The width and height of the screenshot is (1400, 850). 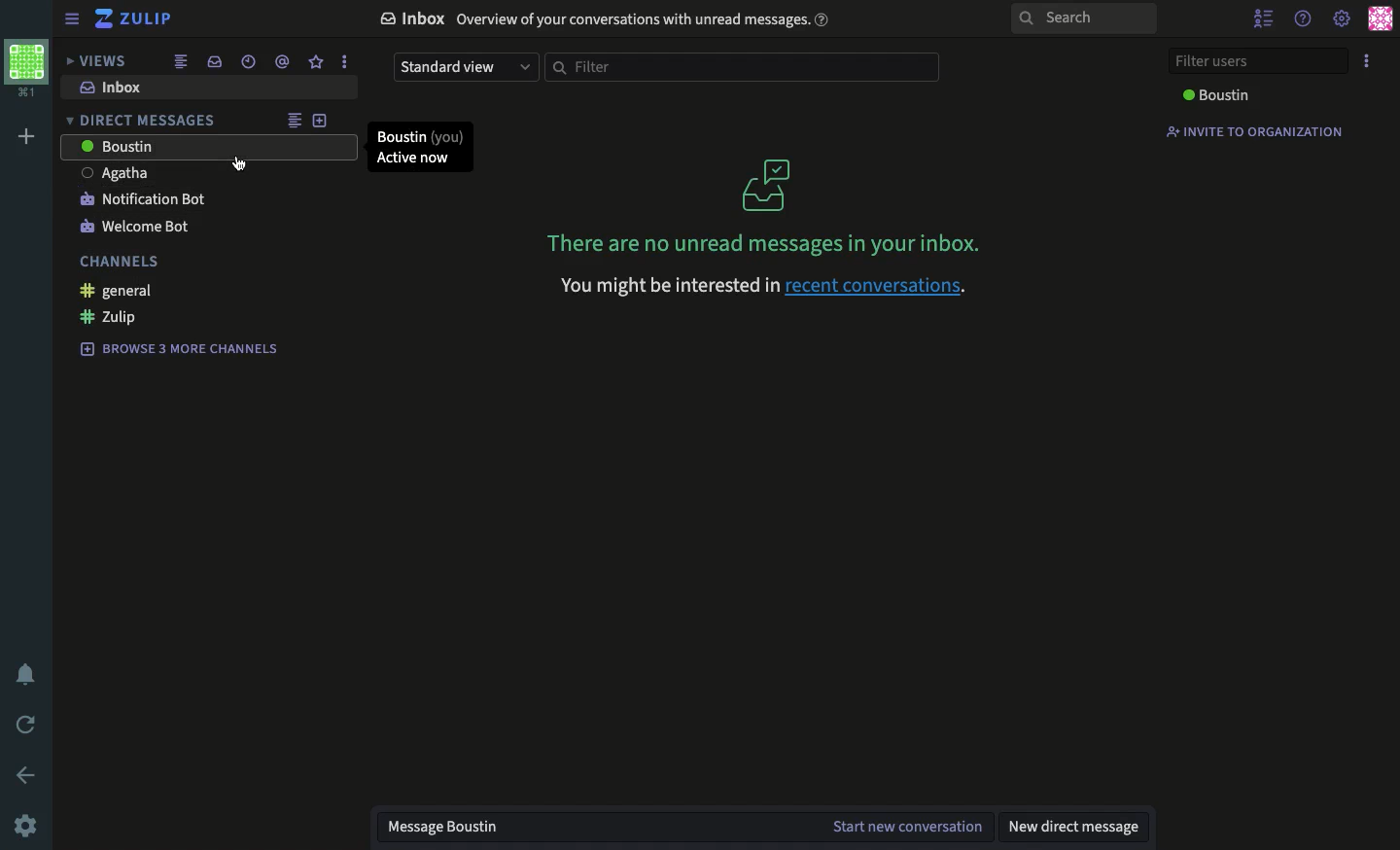 I want to click on invite to organization, so click(x=1255, y=133).